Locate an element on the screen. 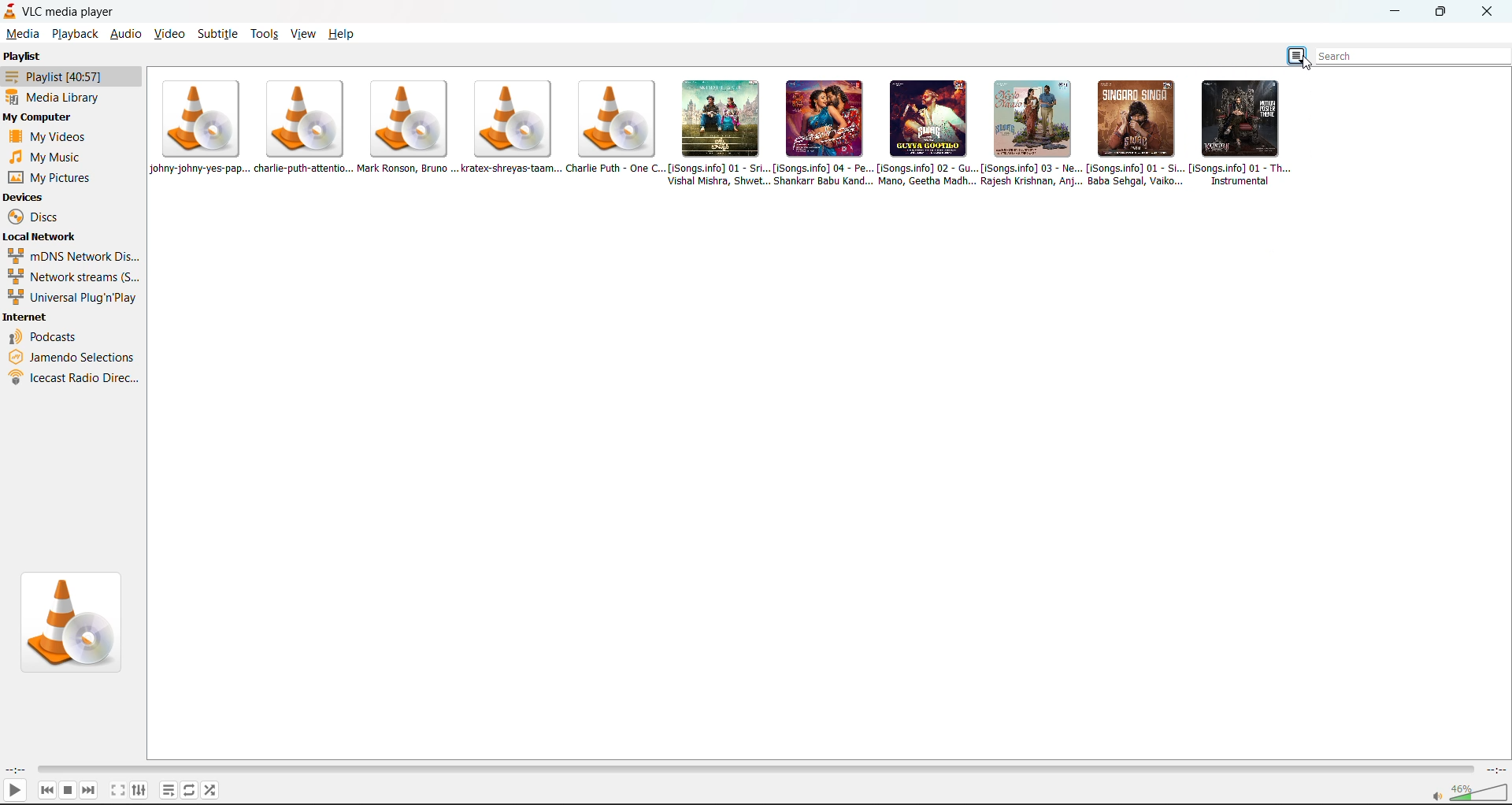 The image size is (1512, 805). videos is located at coordinates (49, 137).